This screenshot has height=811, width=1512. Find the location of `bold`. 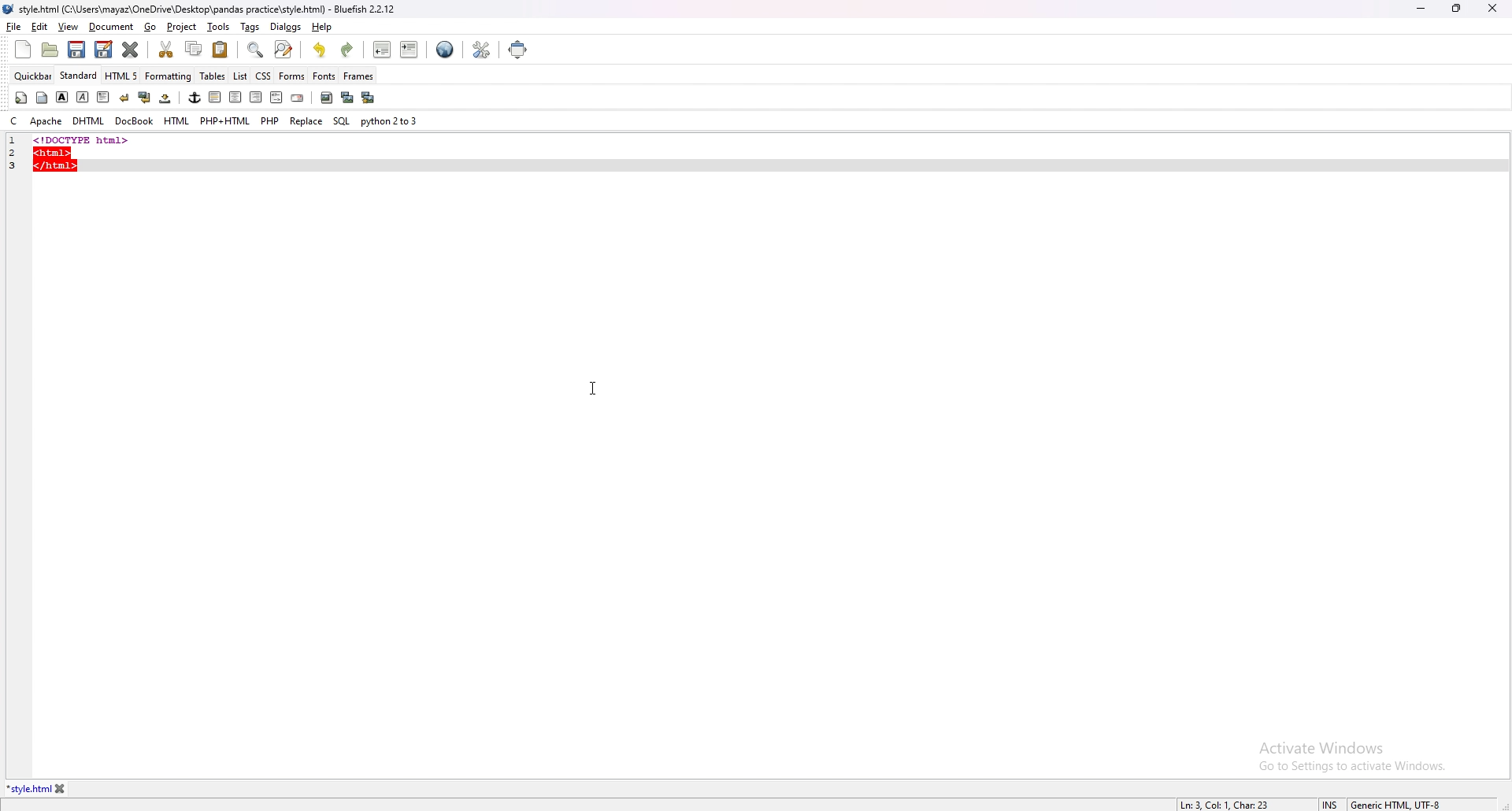

bold is located at coordinates (62, 97).